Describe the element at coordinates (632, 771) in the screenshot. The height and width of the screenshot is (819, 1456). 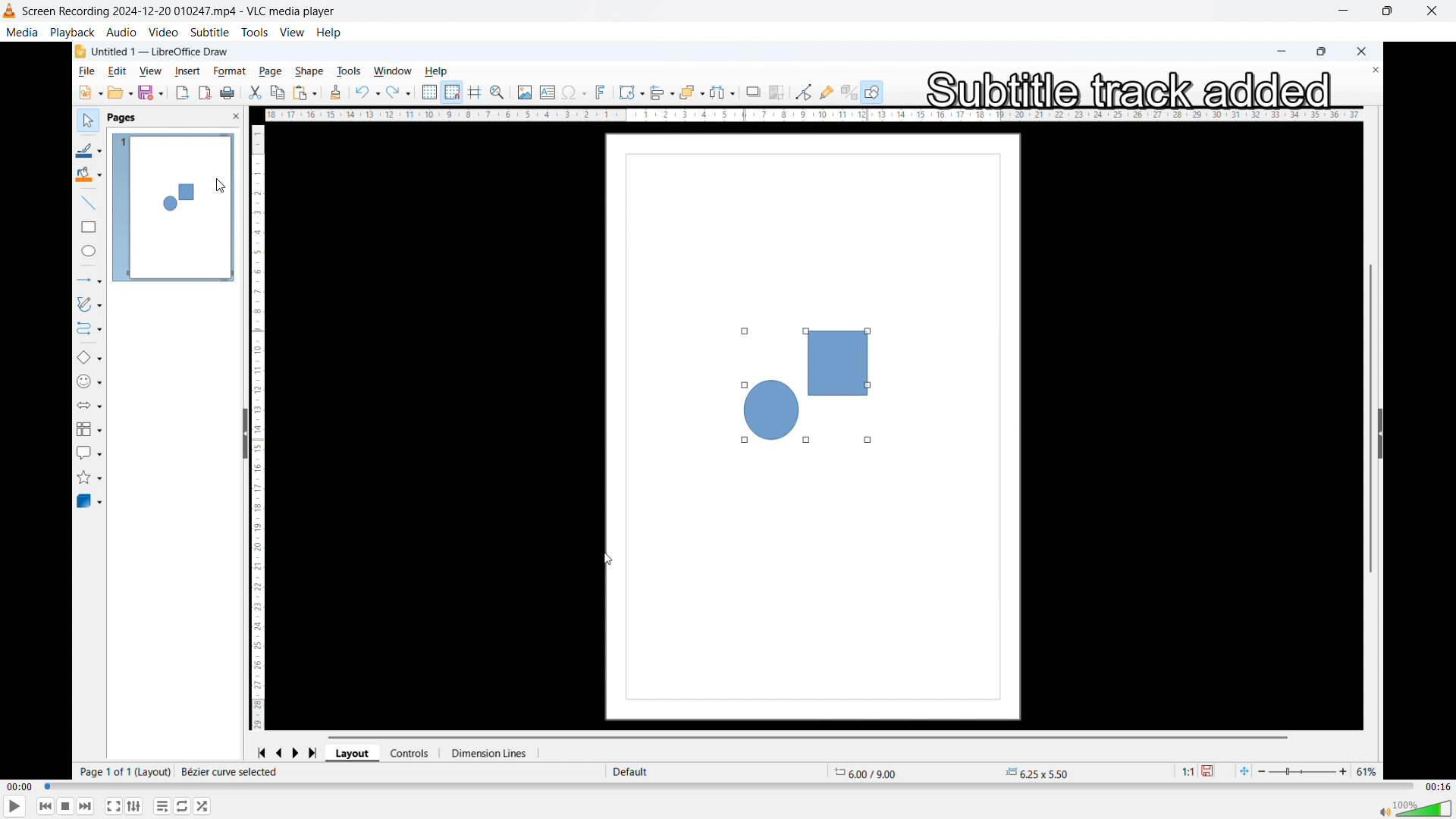
I see `Default` at that location.